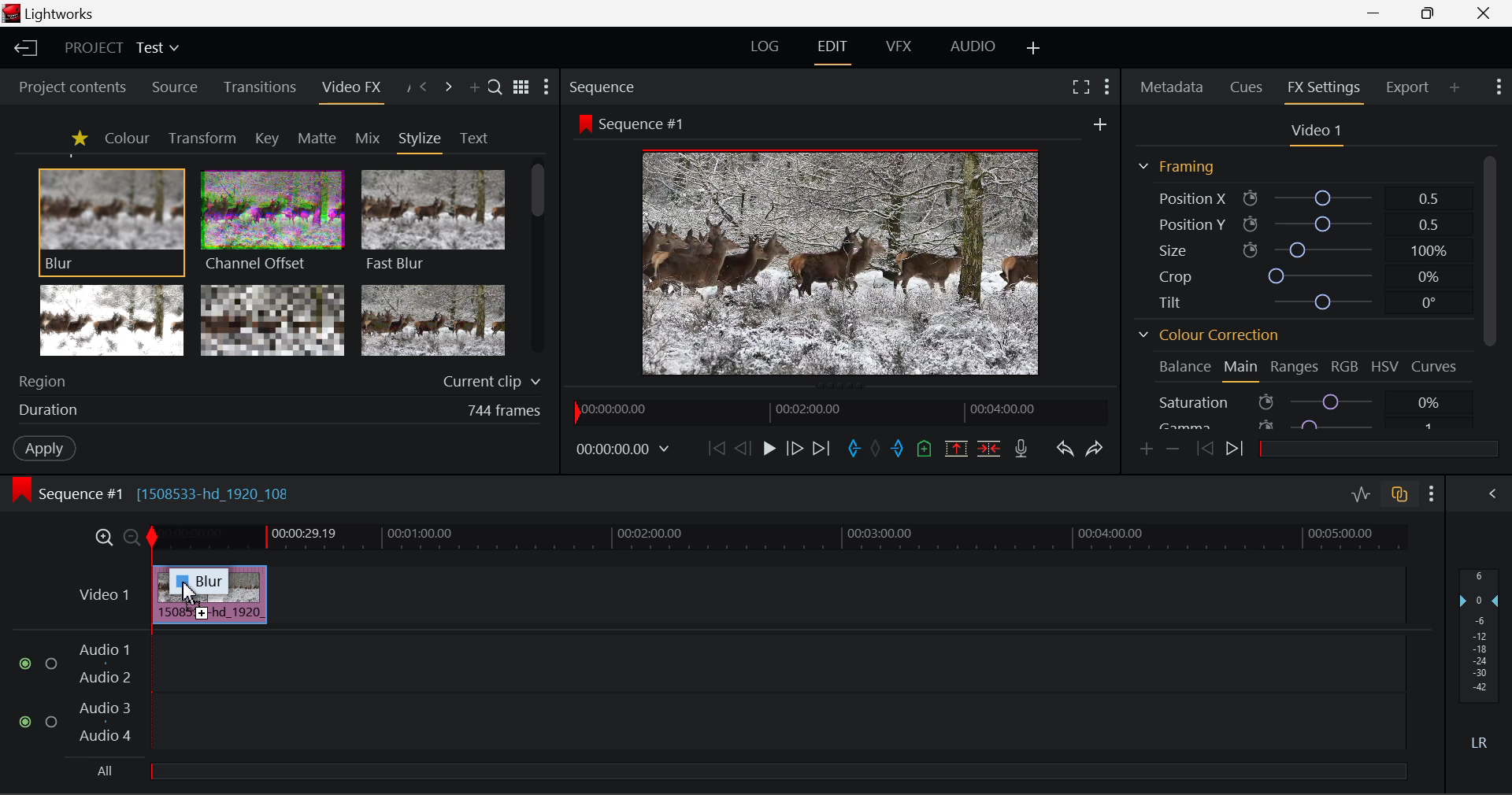 This screenshot has width=1512, height=795. What do you see at coordinates (1360, 493) in the screenshot?
I see `Toggle audio levels editing` at bounding box center [1360, 493].